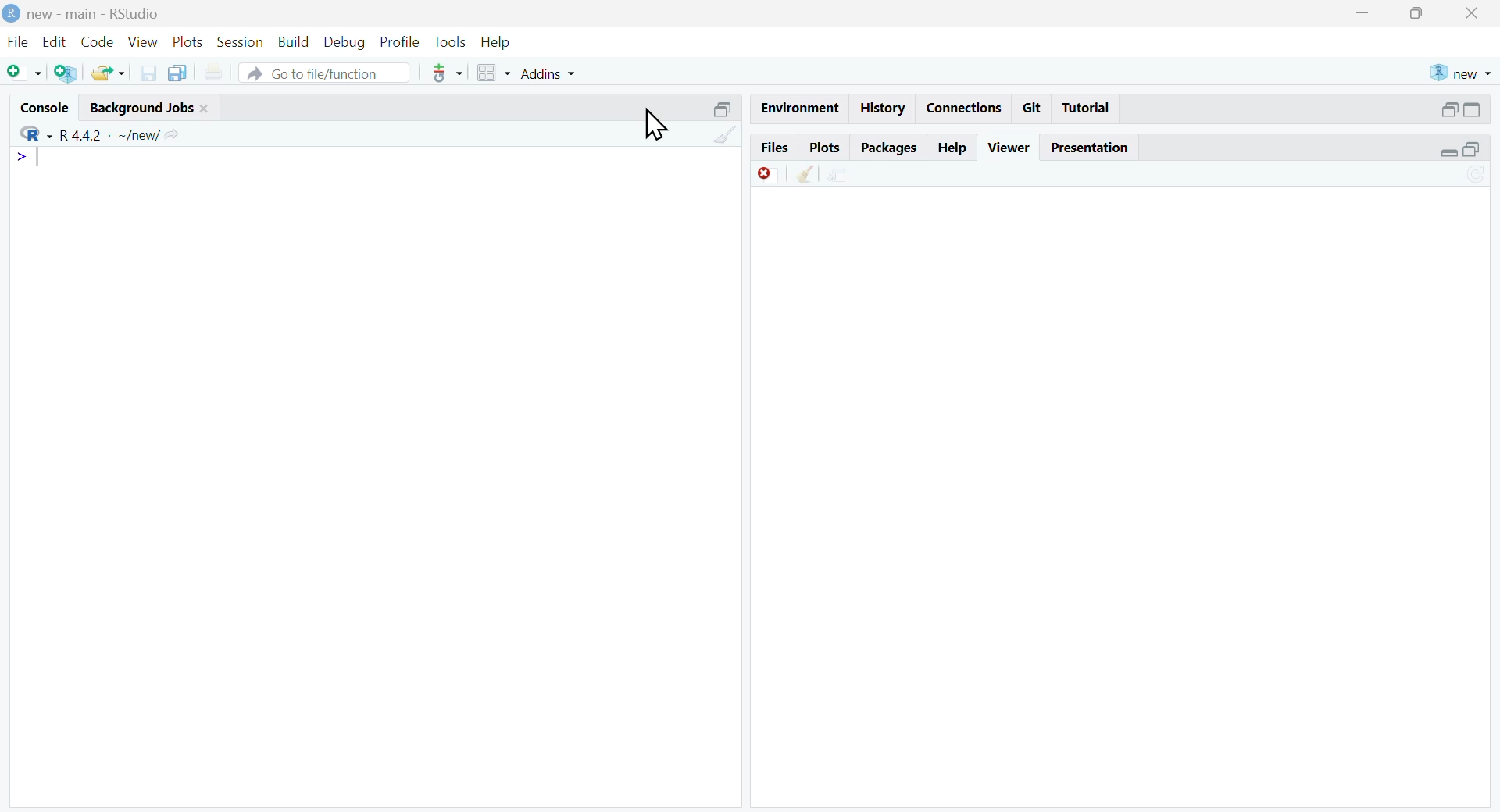  Describe the element at coordinates (11, 15) in the screenshot. I see `logo` at that location.